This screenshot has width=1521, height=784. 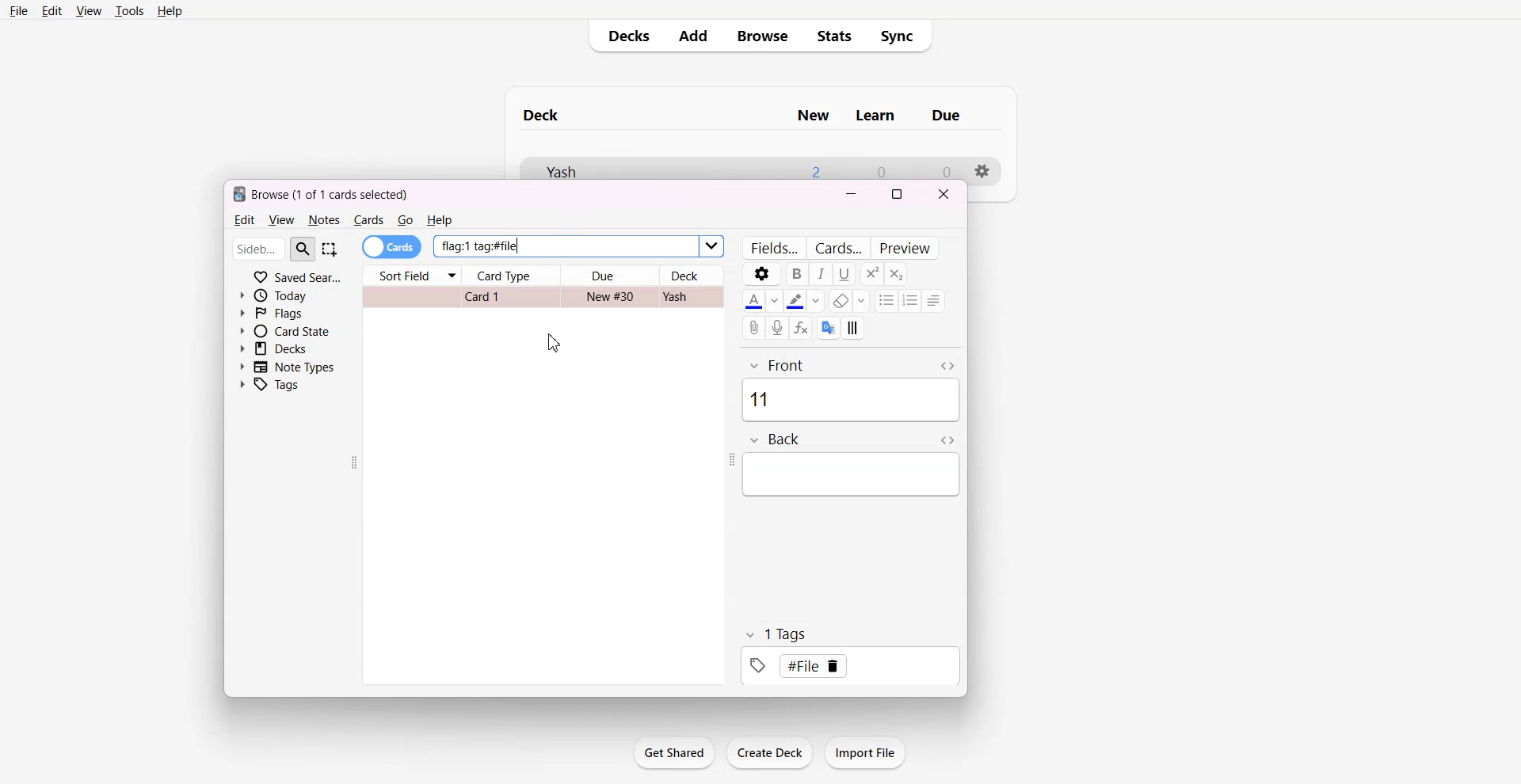 What do you see at coordinates (625, 37) in the screenshot?
I see `Decks` at bounding box center [625, 37].